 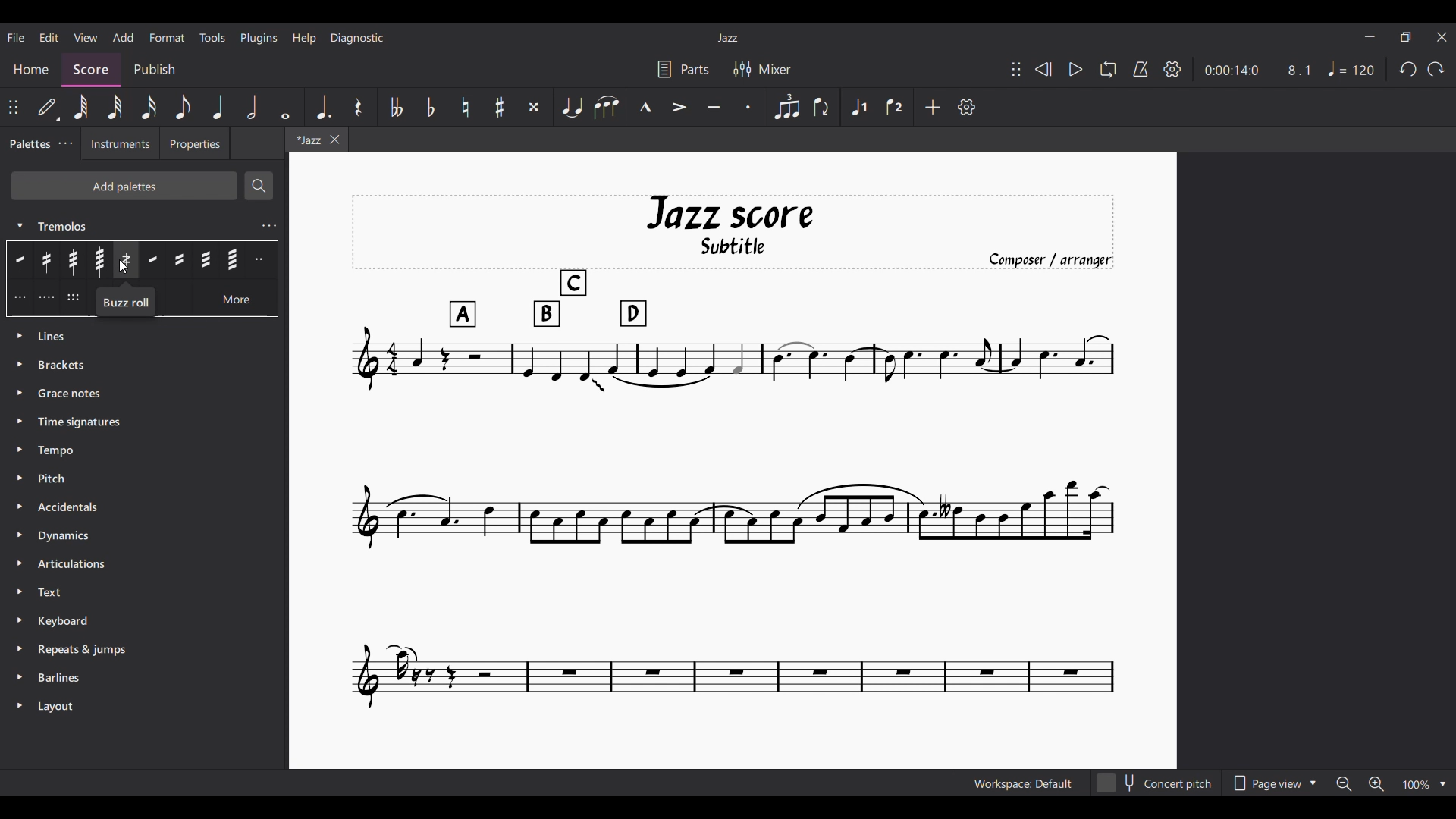 I want to click on Barlines, so click(x=142, y=678).